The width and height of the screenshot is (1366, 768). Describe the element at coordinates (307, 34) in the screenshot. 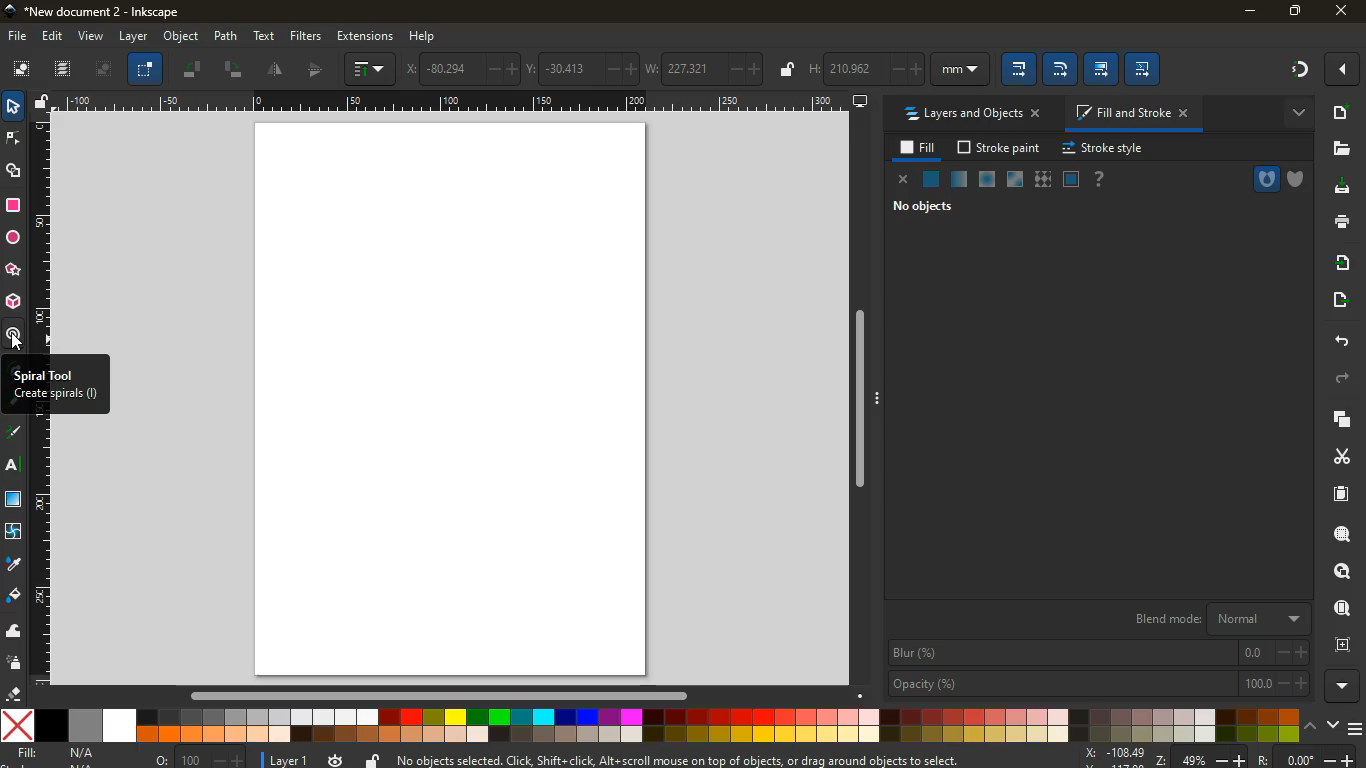

I see `filters` at that location.